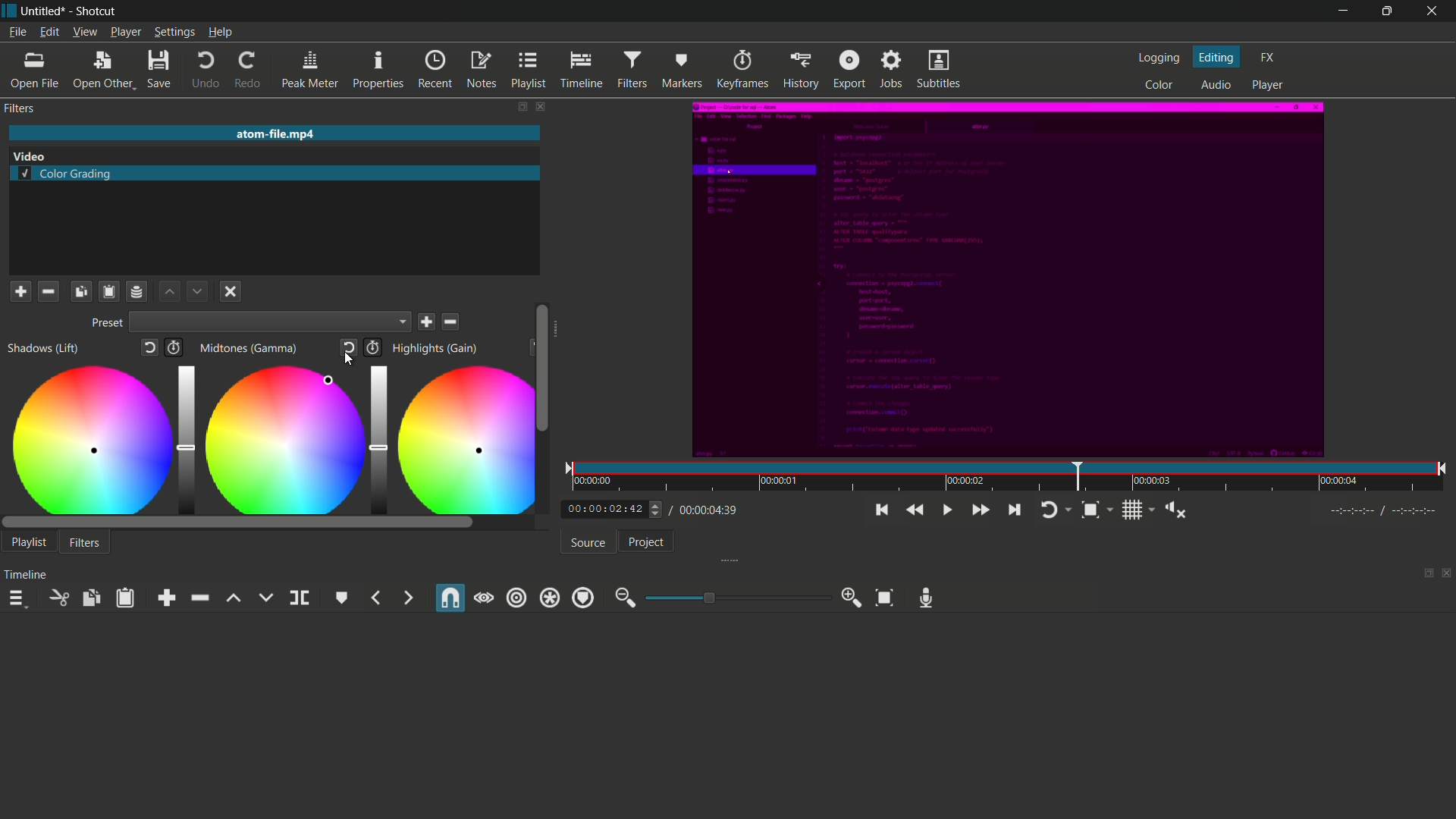  I want to click on player menu, so click(125, 32).